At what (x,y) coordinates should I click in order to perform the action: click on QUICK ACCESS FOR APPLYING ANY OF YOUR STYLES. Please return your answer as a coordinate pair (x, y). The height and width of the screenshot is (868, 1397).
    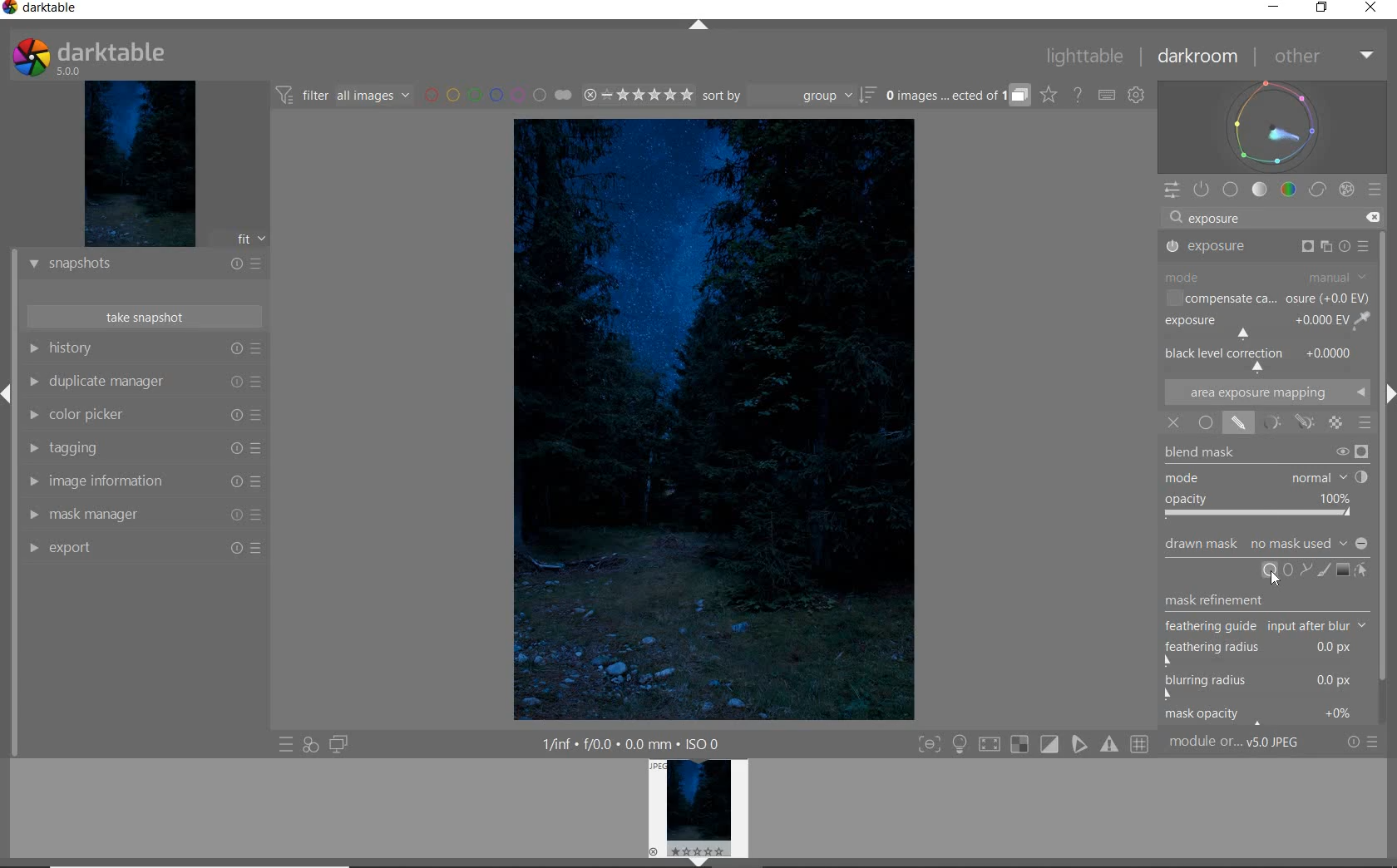
    Looking at the image, I should click on (309, 746).